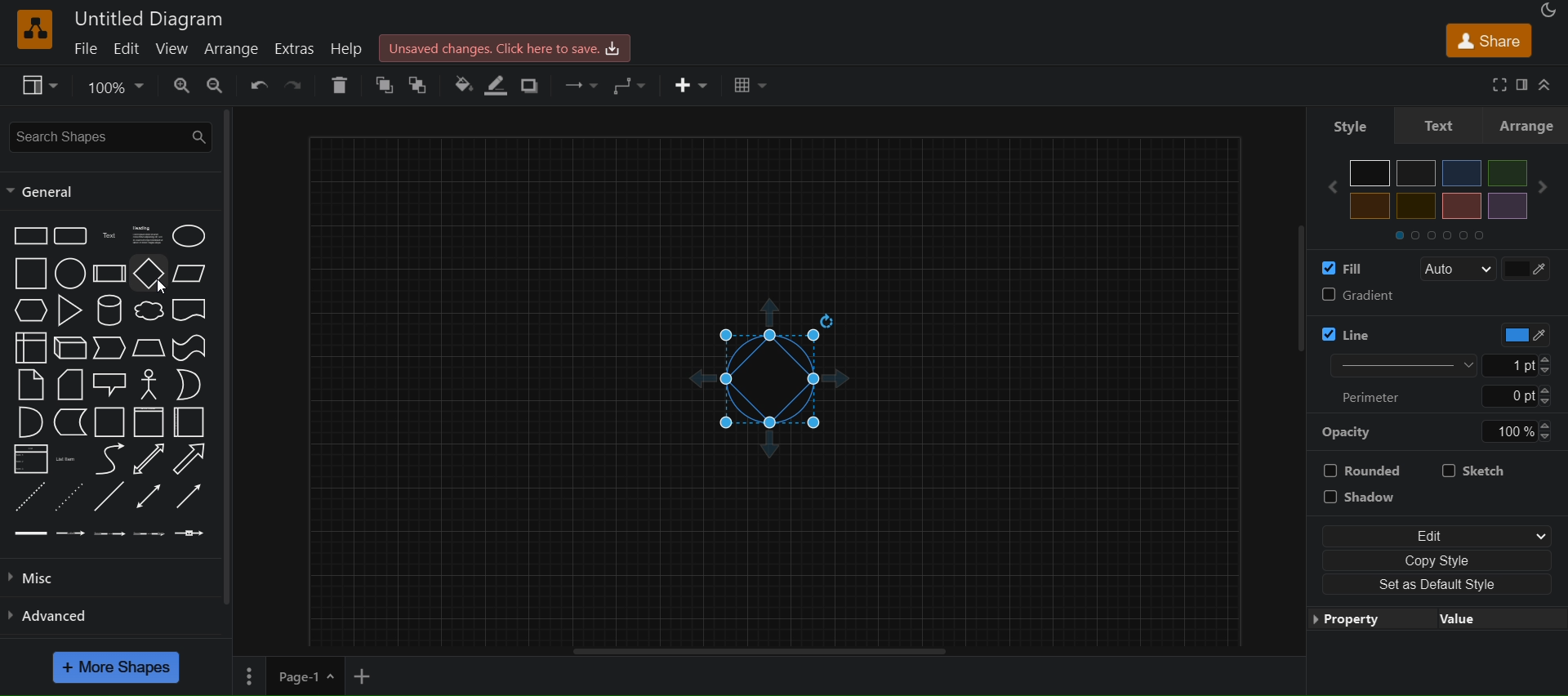 This screenshot has width=1568, height=696. Describe the element at coordinates (630, 85) in the screenshot. I see `waypoints` at that location.